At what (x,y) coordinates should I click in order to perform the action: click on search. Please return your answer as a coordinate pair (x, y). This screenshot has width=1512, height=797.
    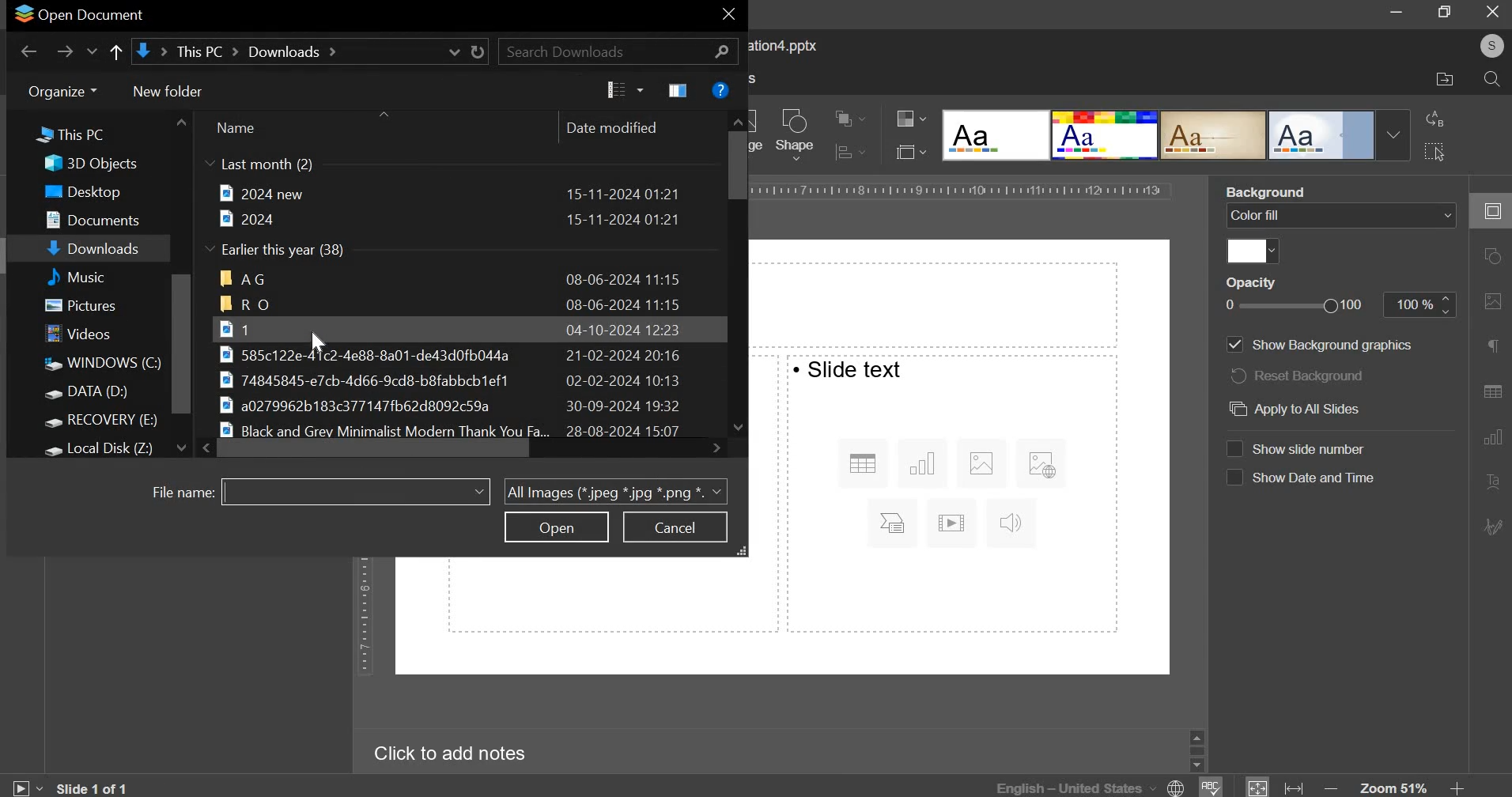
    Looking at the image, I should click on (618, 51).